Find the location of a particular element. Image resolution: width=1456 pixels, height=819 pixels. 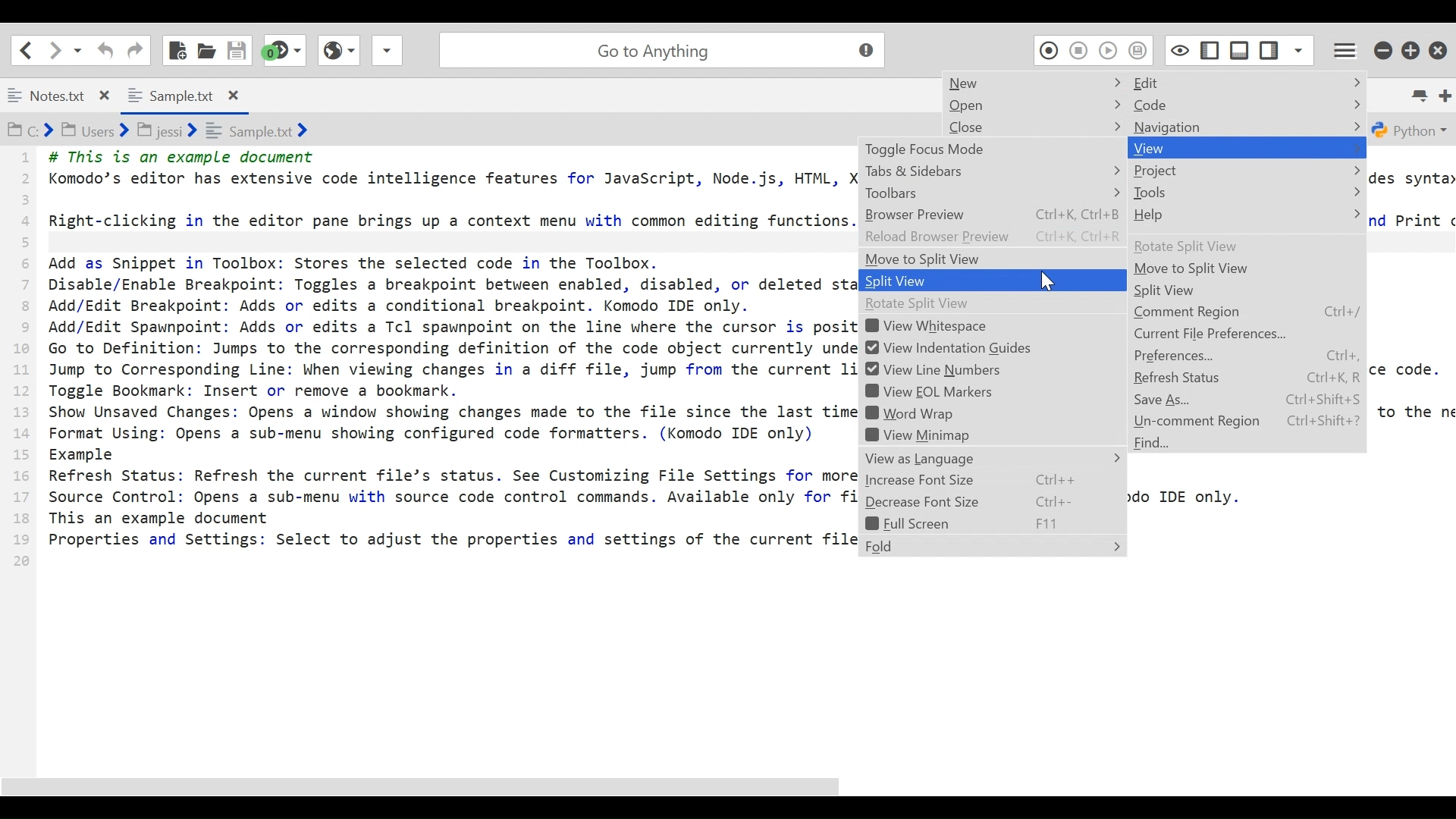

Show/Hide Left Pane is located at coordinates (1269, 49).